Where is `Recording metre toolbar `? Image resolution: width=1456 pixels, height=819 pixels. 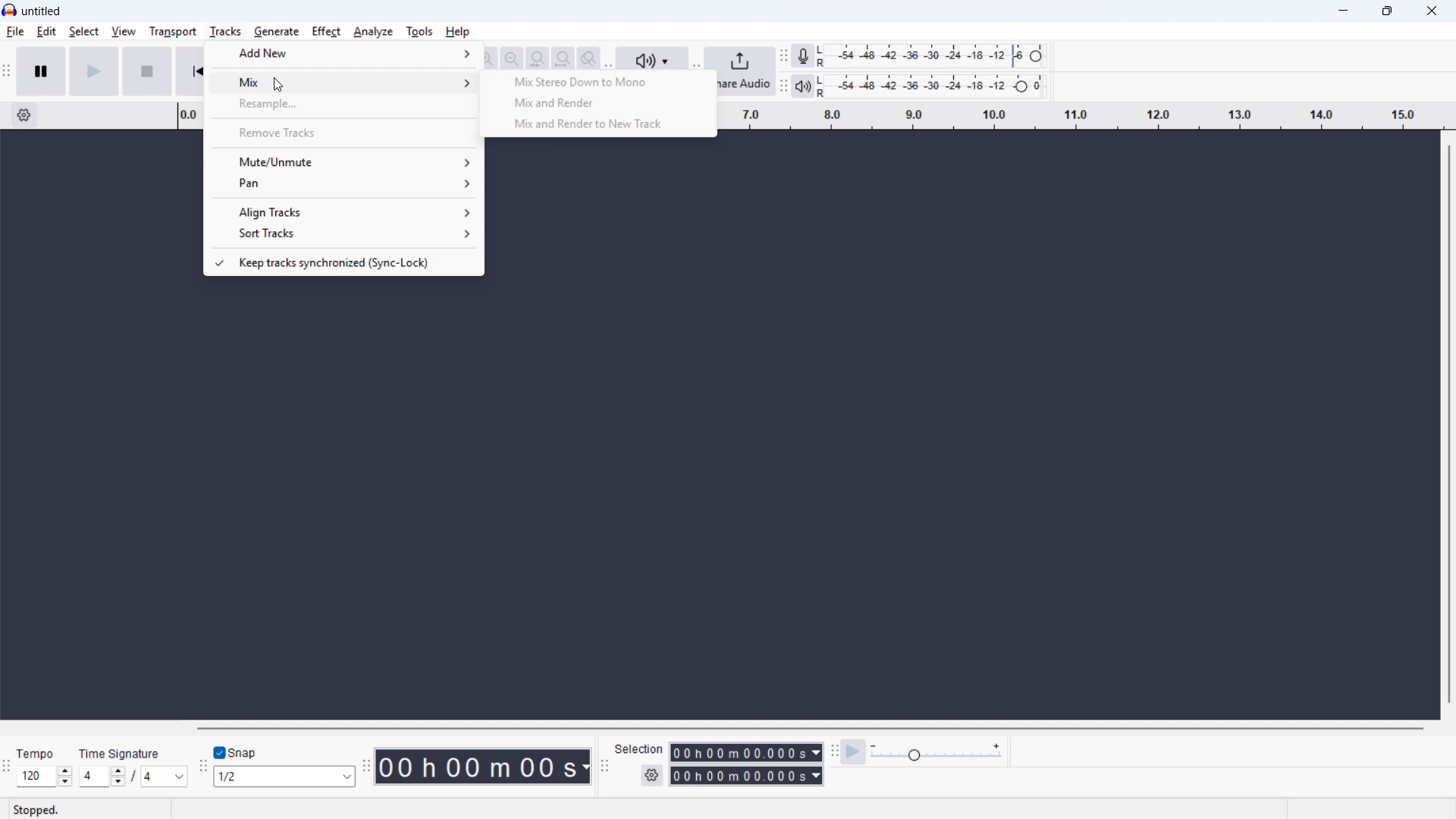 Recording metre toolbar  is located at coordinates (783, 56).